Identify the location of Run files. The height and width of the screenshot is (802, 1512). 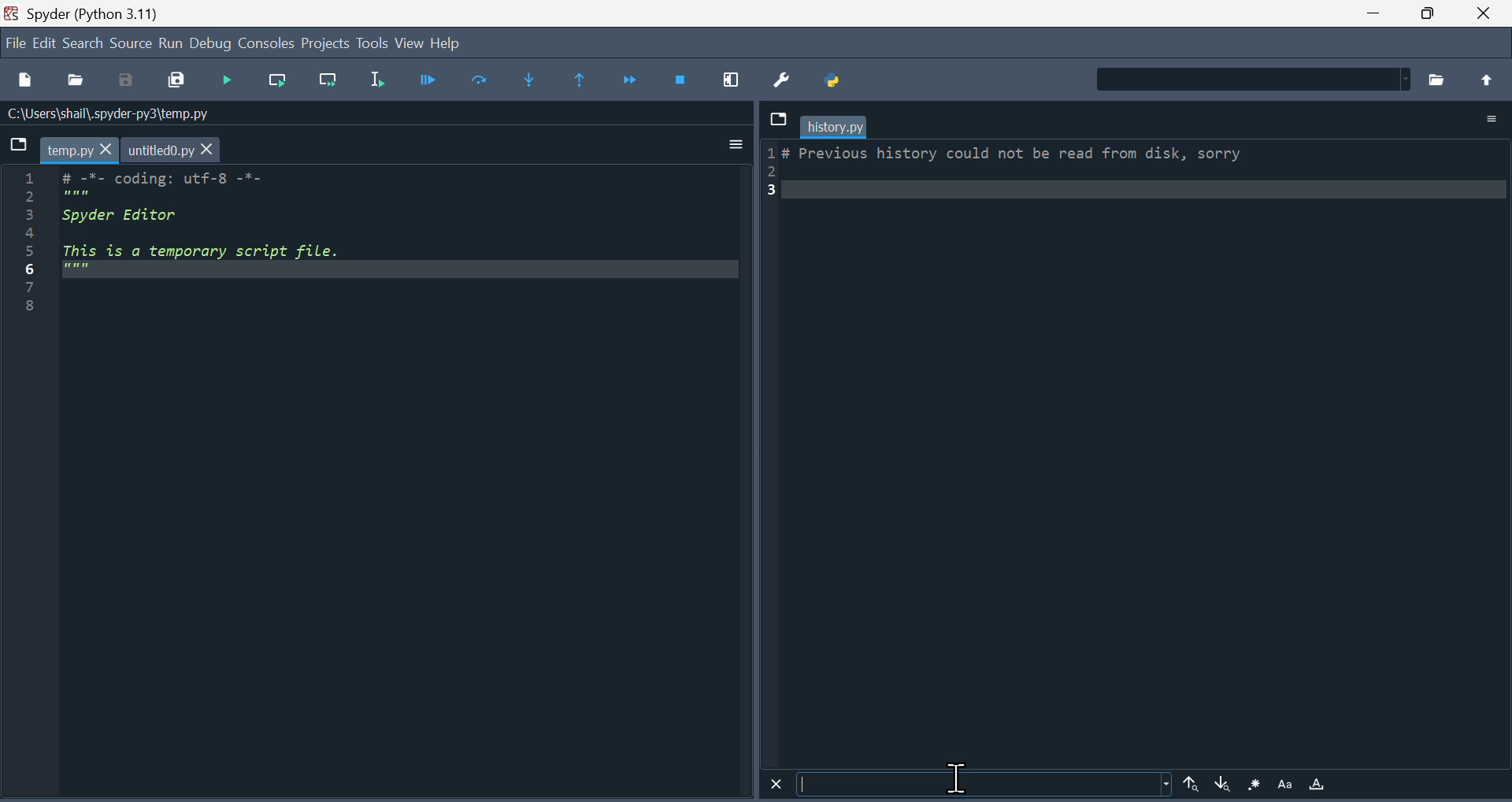
(232, 80).